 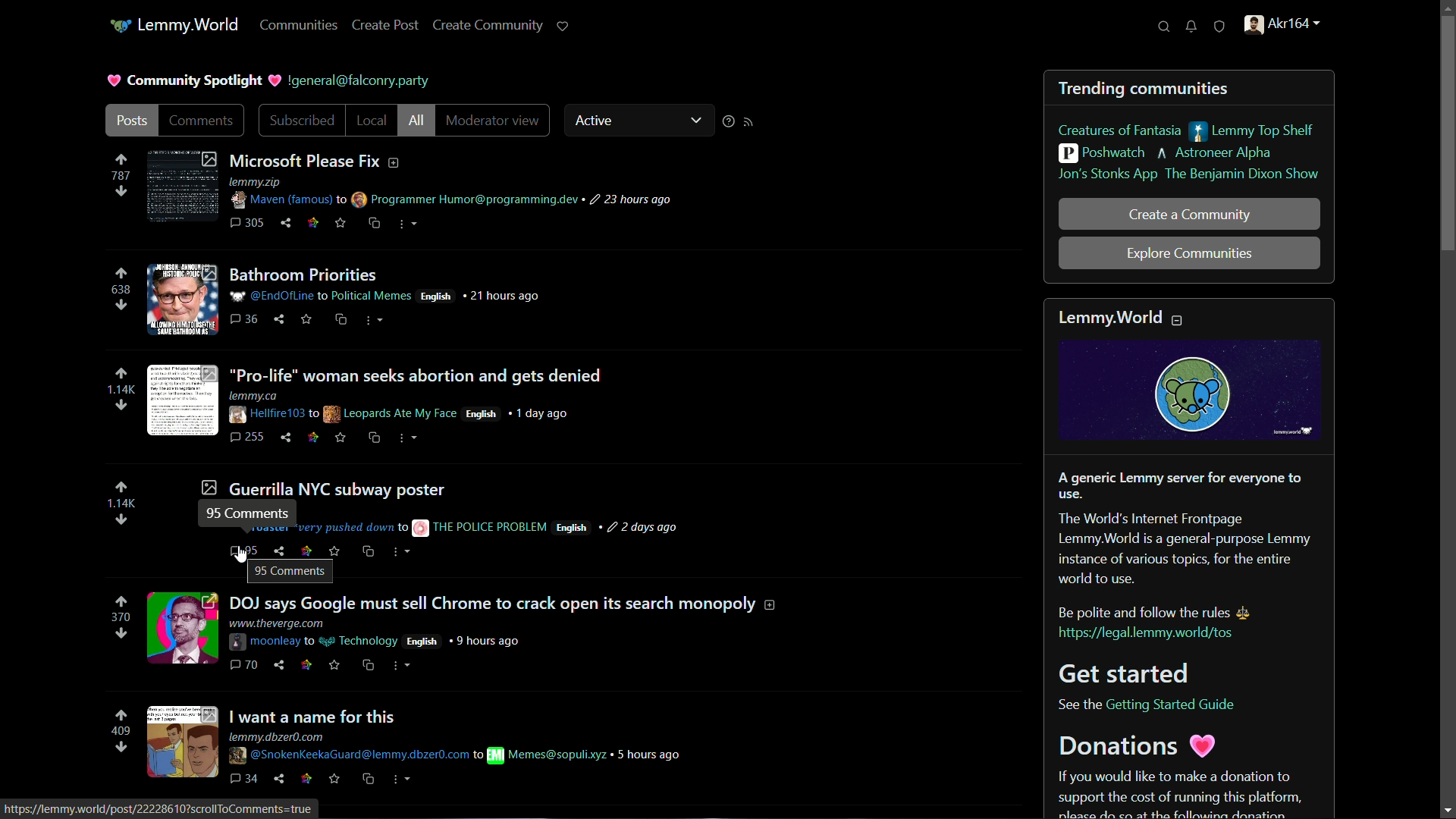 I want to click on more options, so click(x=404, y=440).